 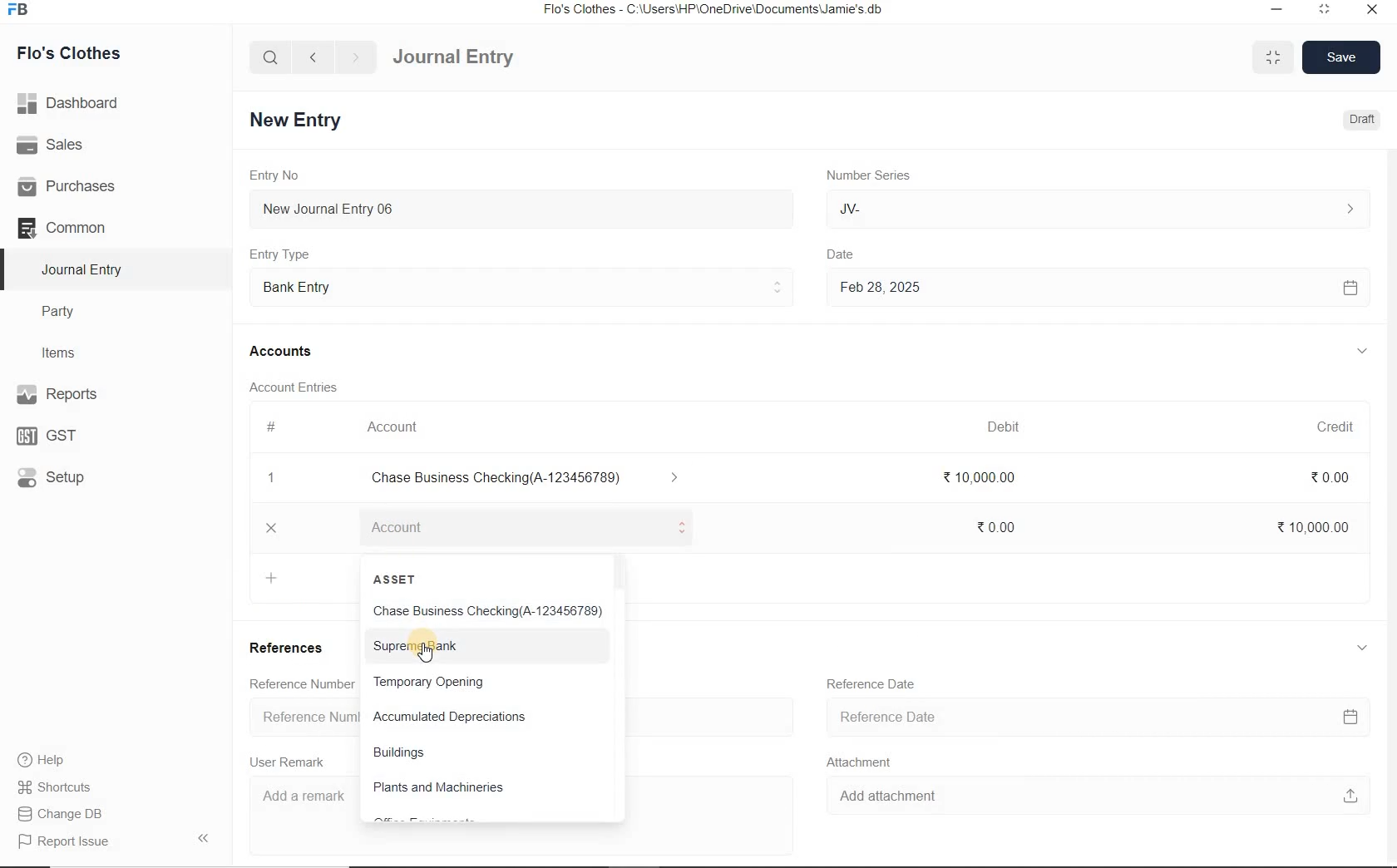 I want to click on 1, so click(x=272, y=480).